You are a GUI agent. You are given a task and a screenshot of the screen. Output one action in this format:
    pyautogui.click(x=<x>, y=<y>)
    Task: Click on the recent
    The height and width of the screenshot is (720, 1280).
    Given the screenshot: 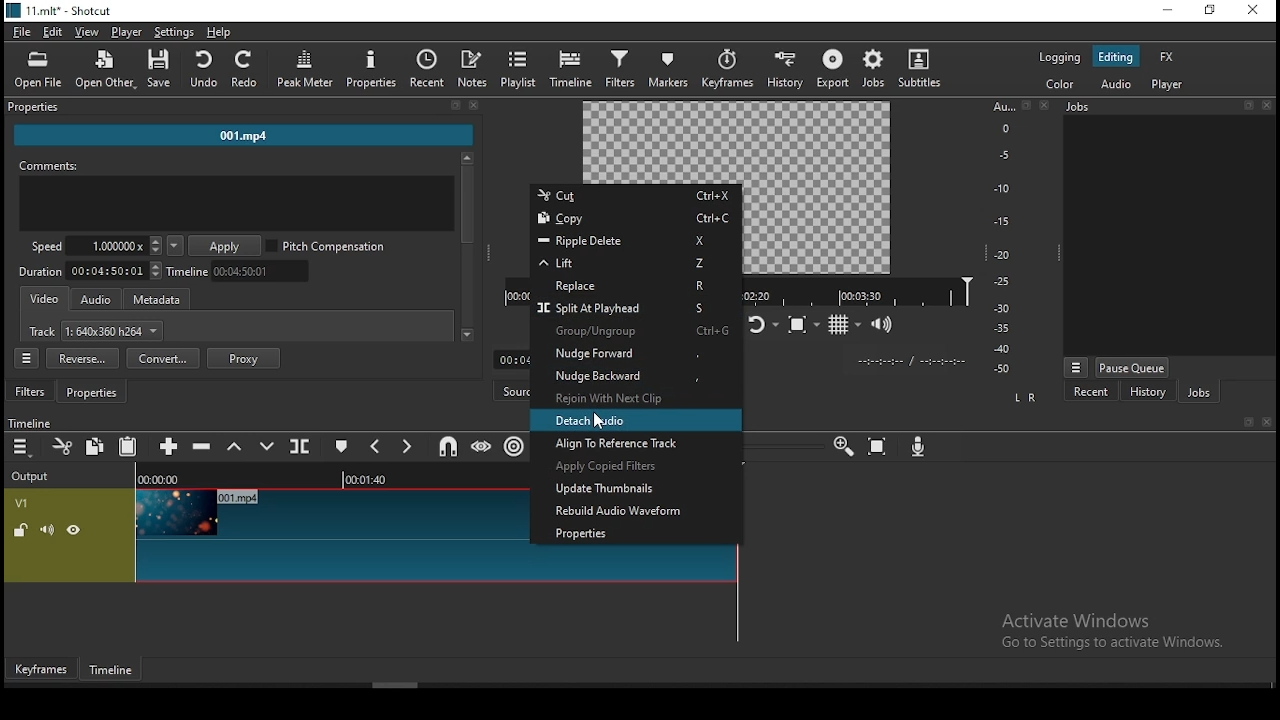 What is the action you would take?
    pyautogui.click(x=1091, y=394)
    